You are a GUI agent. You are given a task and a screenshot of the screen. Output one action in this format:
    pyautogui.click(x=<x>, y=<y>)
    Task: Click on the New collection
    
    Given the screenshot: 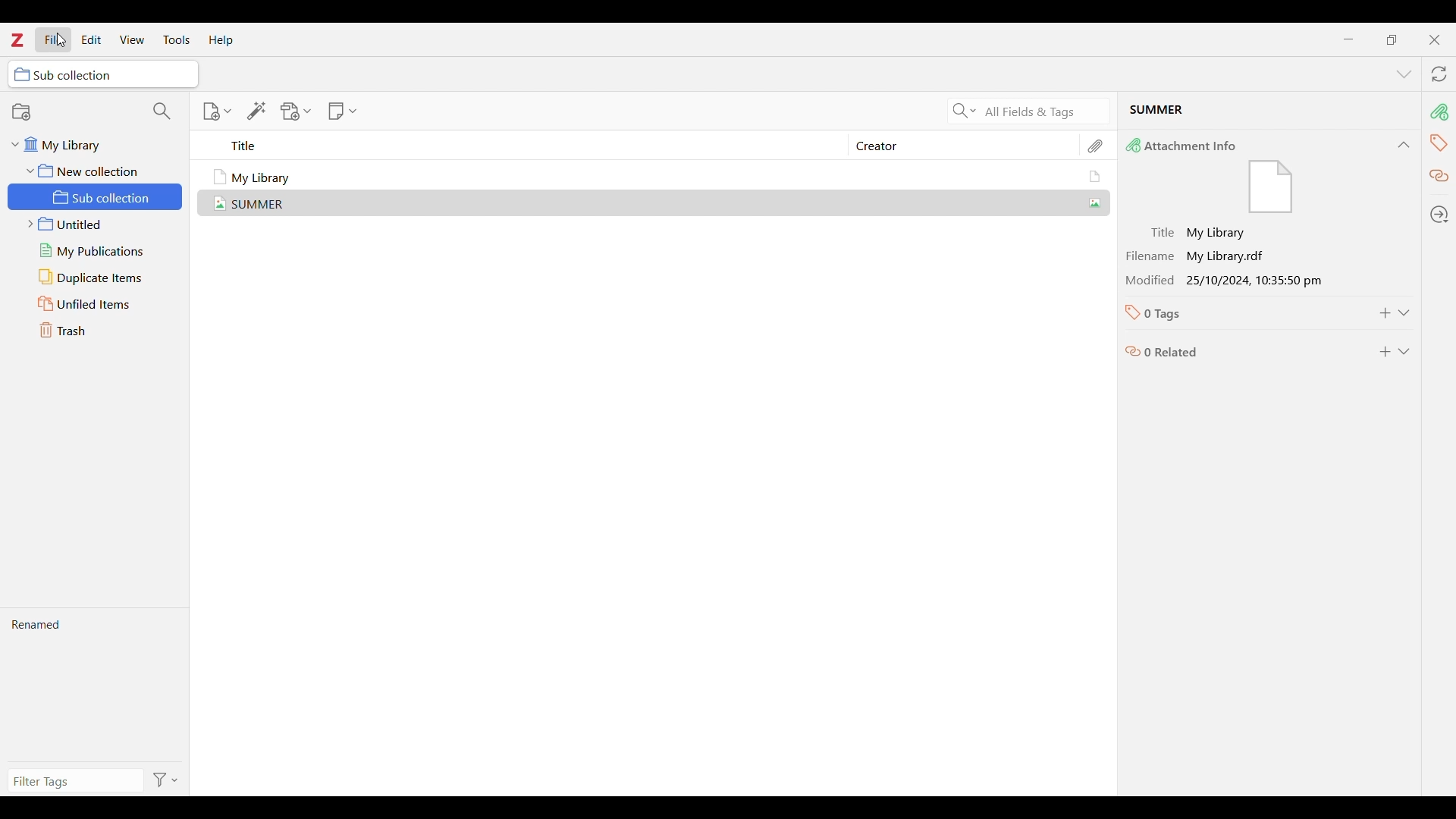 What is the action you would take?
    pyautogui.click(x=74, y=111)
    